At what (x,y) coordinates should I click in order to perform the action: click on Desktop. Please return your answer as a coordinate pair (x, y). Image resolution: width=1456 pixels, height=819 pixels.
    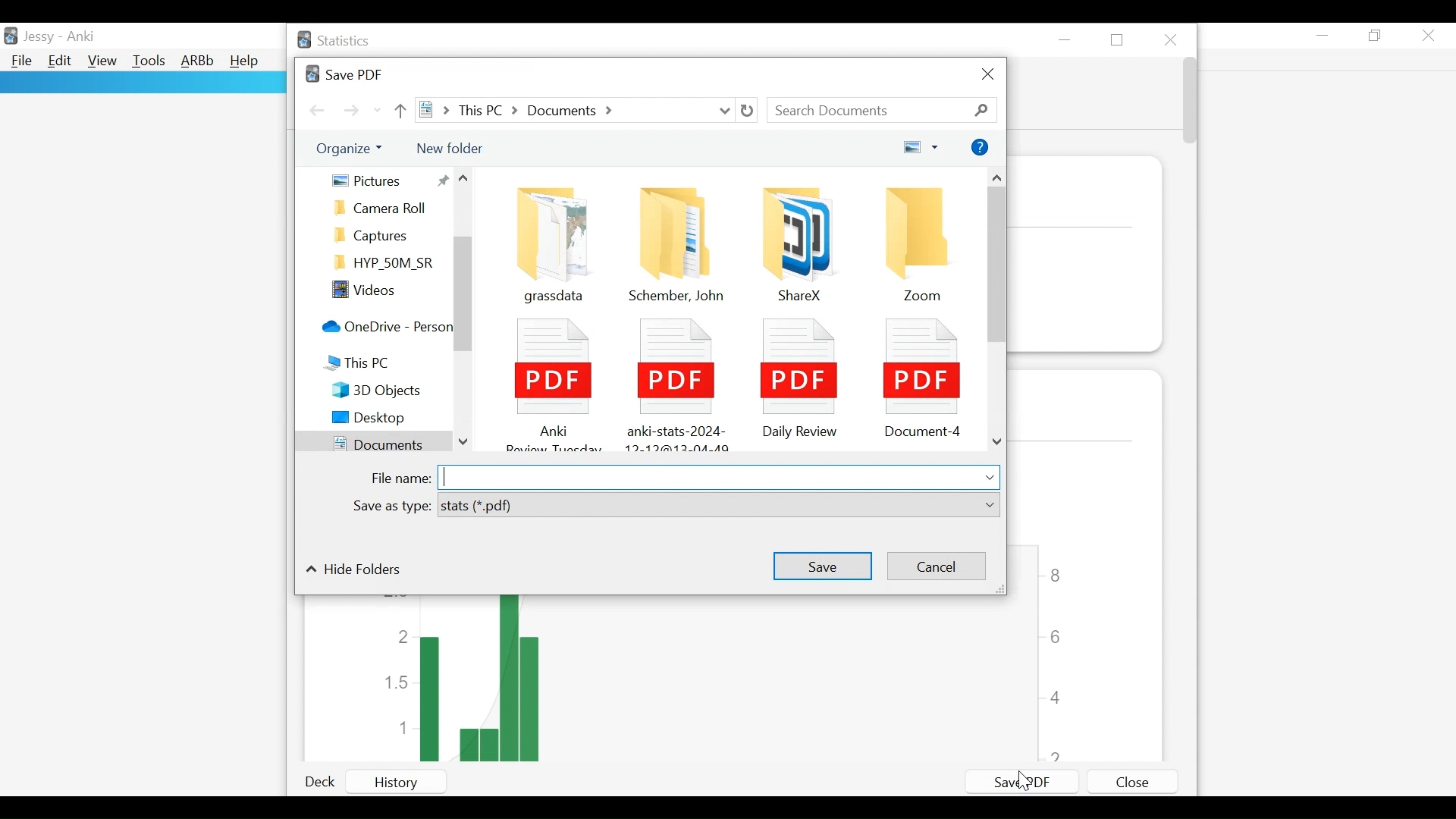
    Looking at the image, I should click on (384, 419).